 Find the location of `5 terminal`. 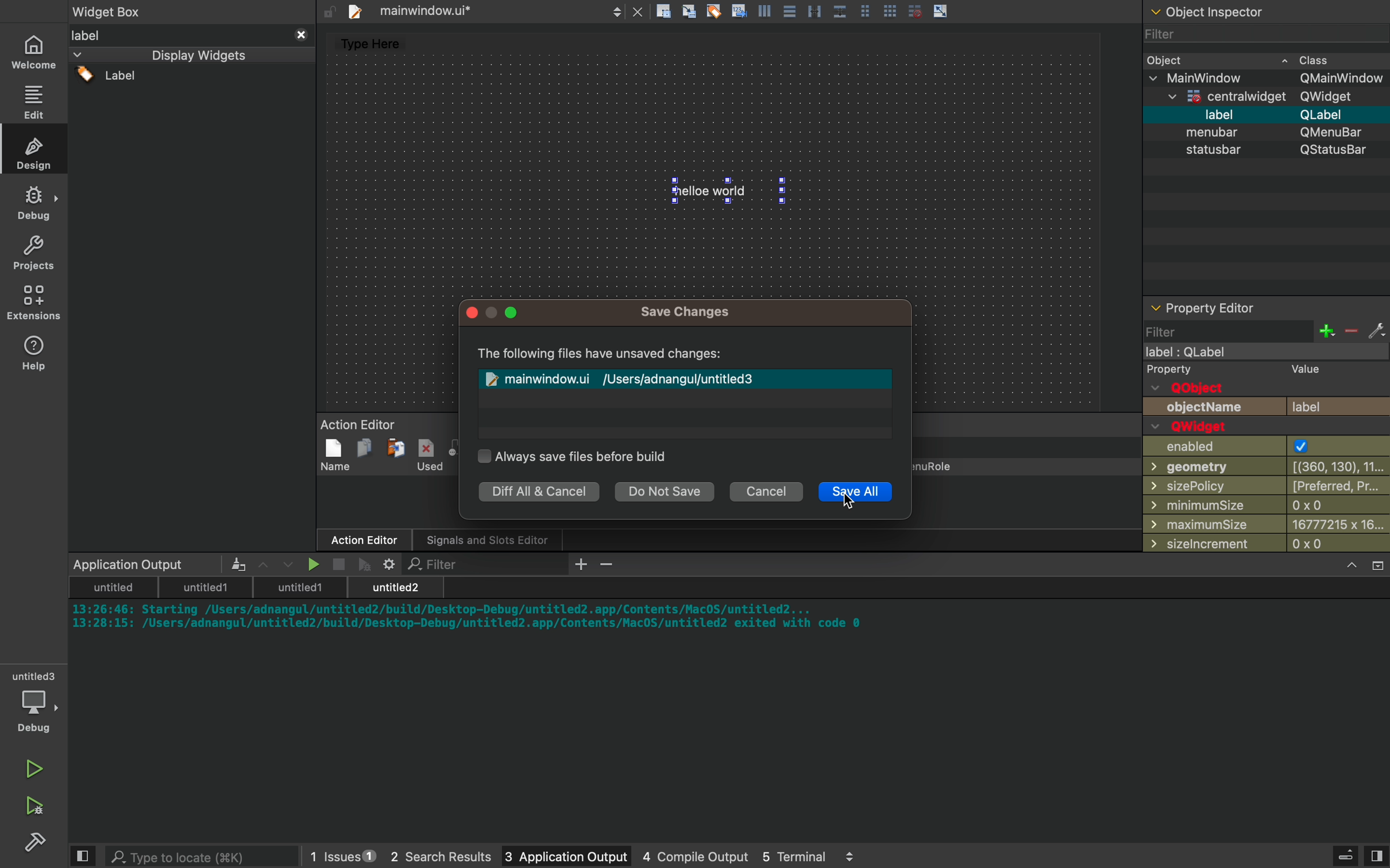

5 terminal is located at coordinates (805, 856).